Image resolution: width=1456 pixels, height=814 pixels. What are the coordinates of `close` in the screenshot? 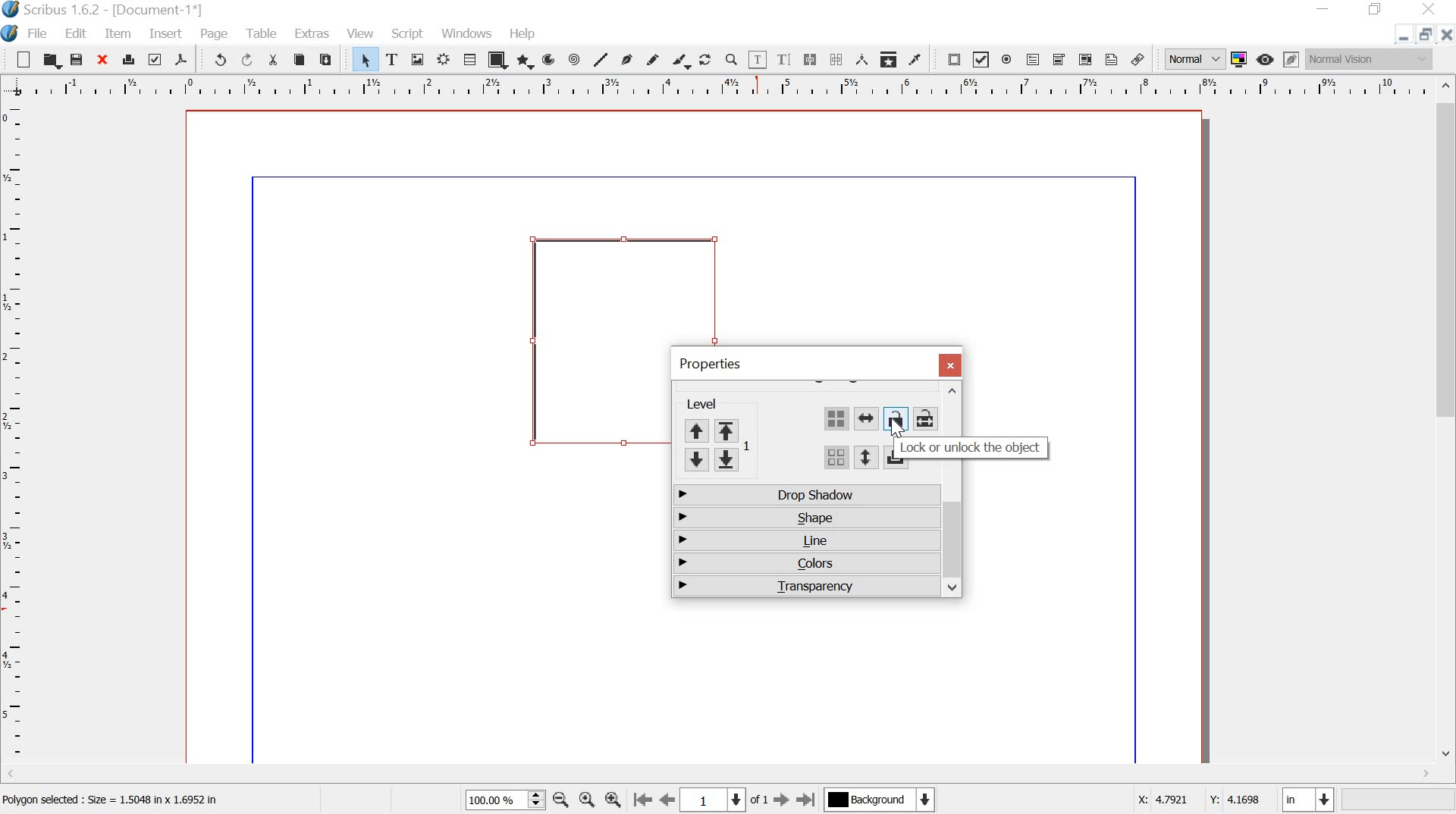 It's located at (104, 60).